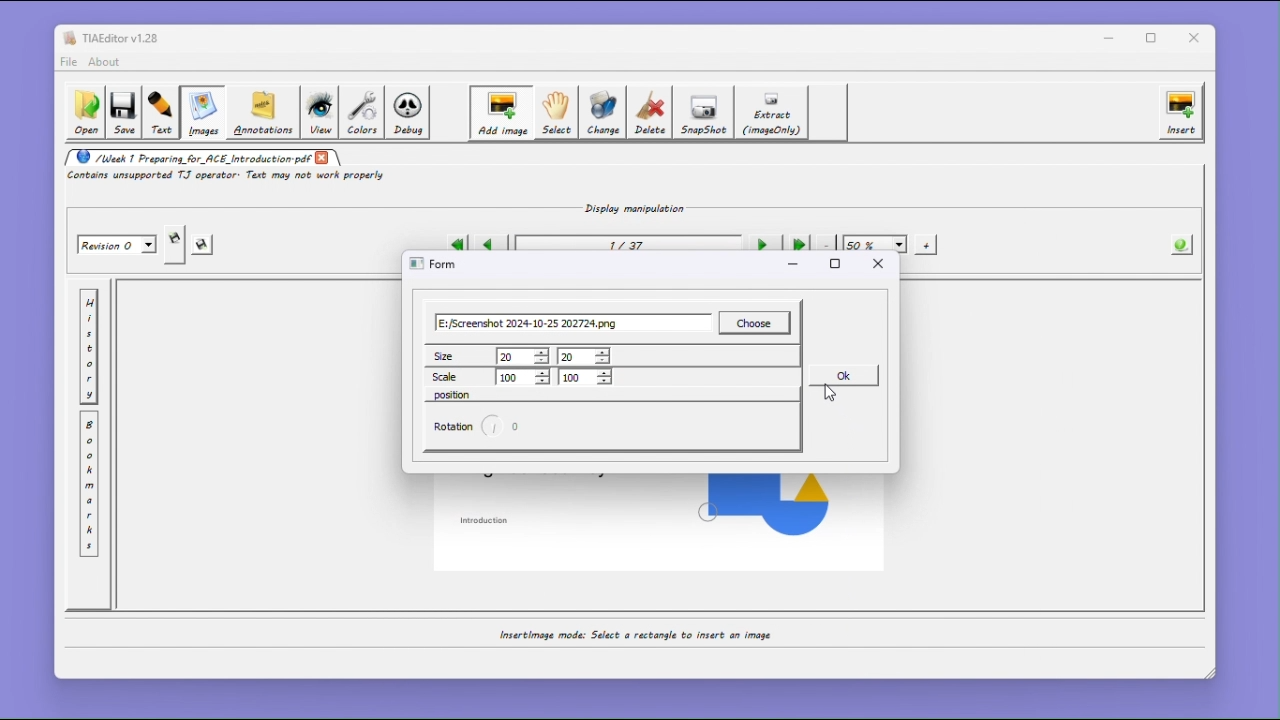 The height and width of the screenshot is (720, 1280). What do you see at coordinates (1198, 38) in the screenshot?
I see `close` at bounding box center [1198, 38].